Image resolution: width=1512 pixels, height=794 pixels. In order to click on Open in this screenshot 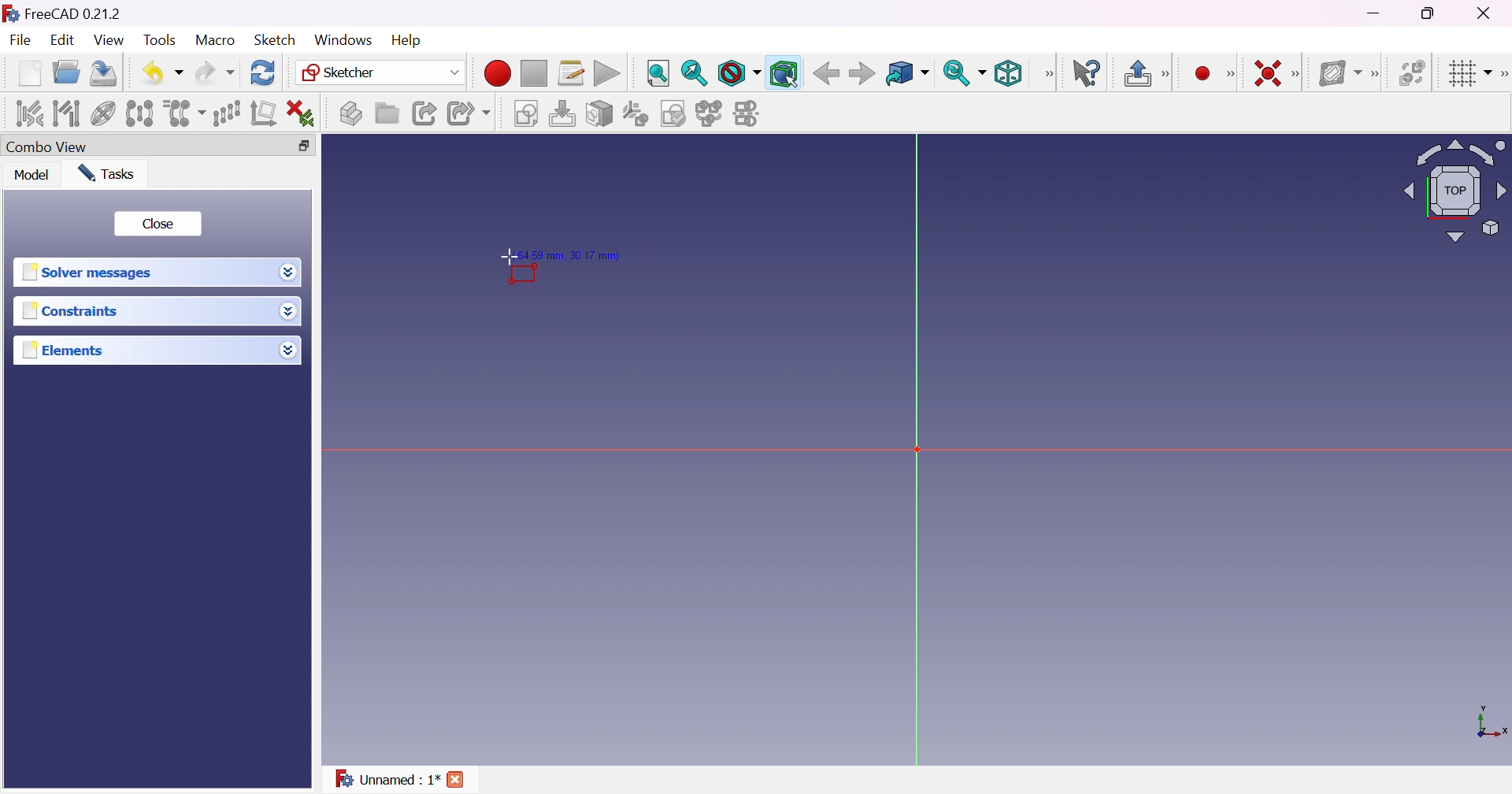, I will do `click(67, 72)`.